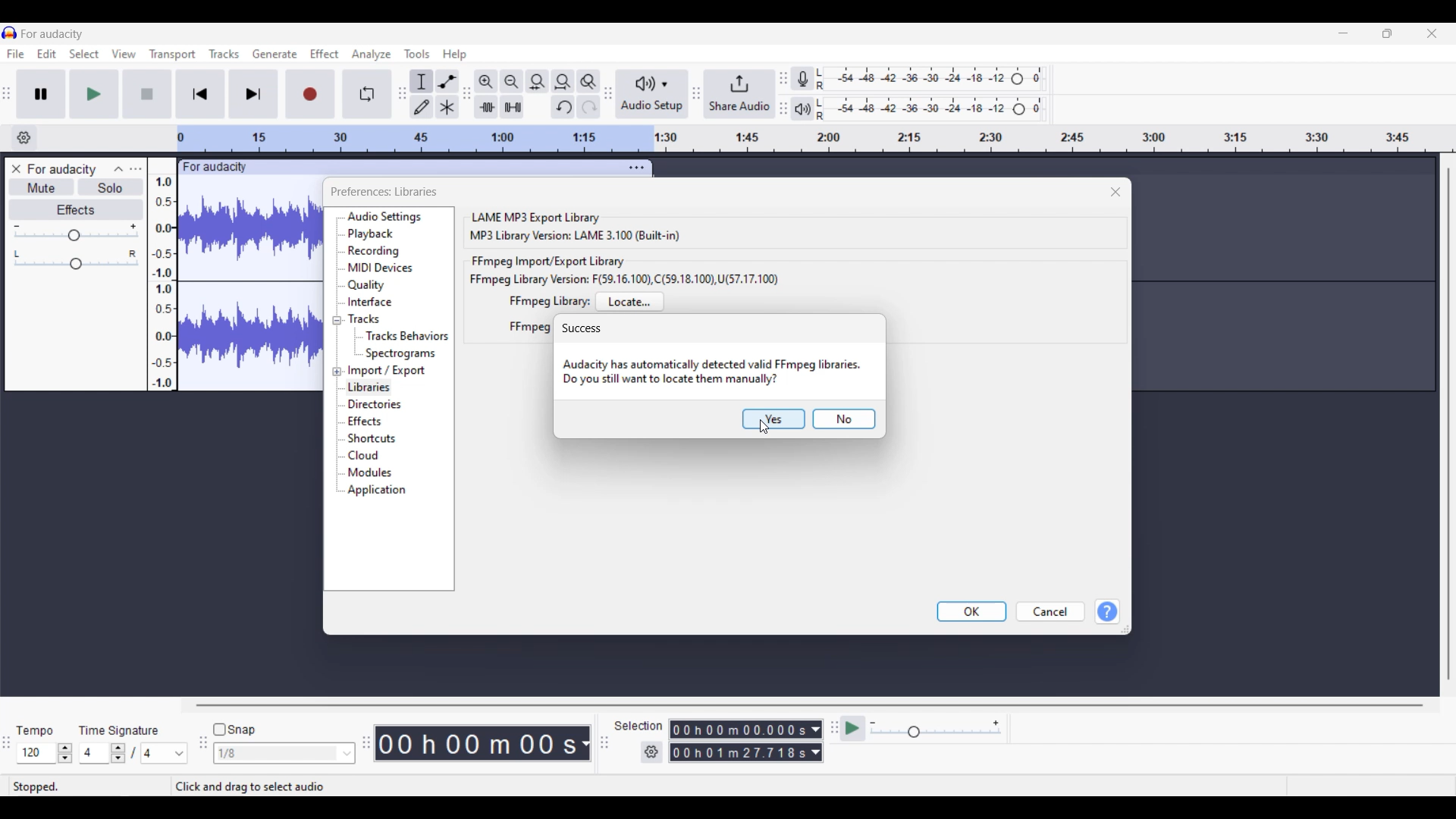 The height and width of the screenshot is (819, 1456). What do you see at coordinates (421, 82) in the screenshot?
I see `Selection tool` at bounding box center [421, 82].